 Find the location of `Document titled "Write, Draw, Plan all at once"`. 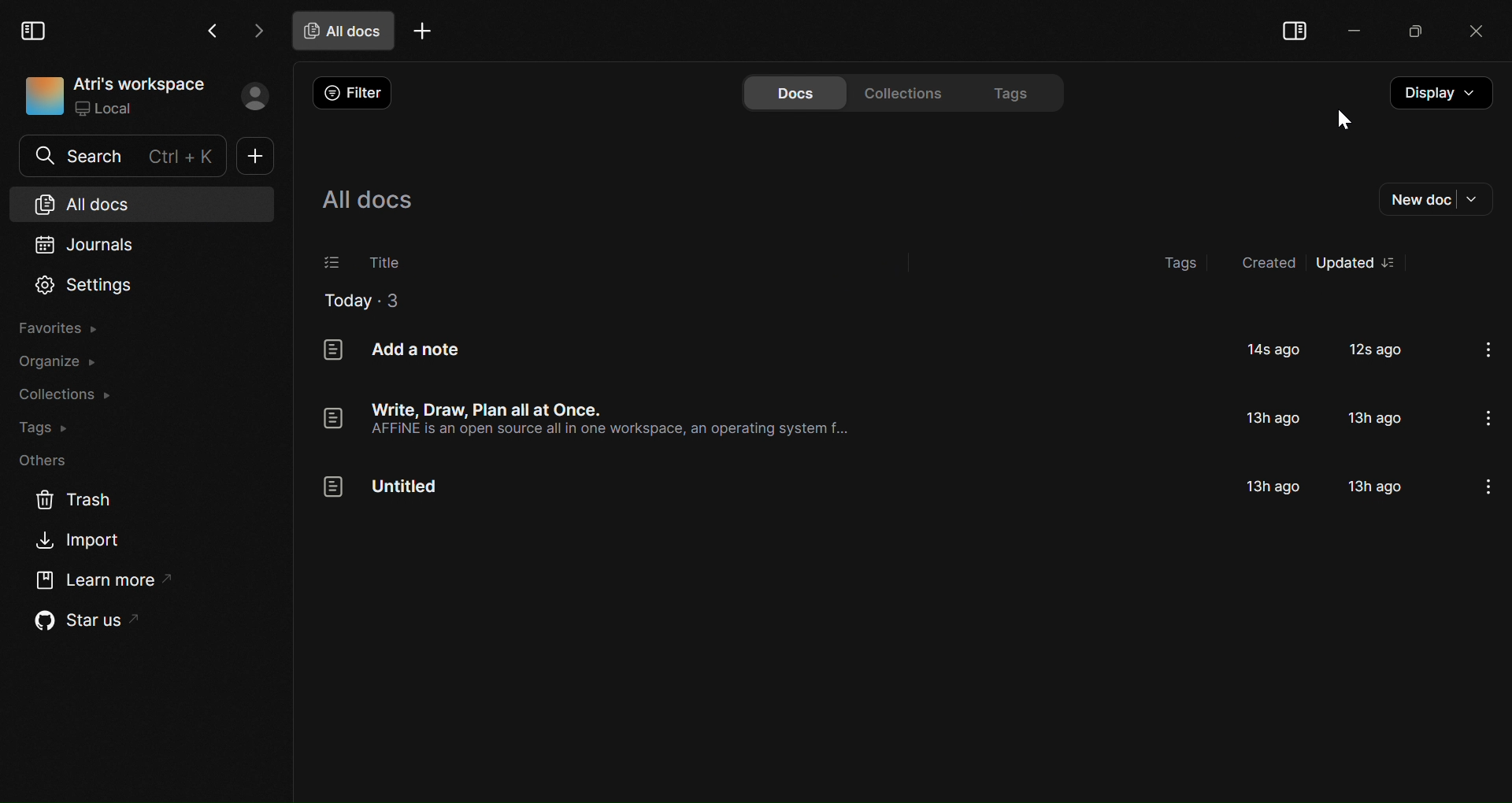

Document titled "Write, Draw, Plan all at once" is located at coordinates (493, 409).